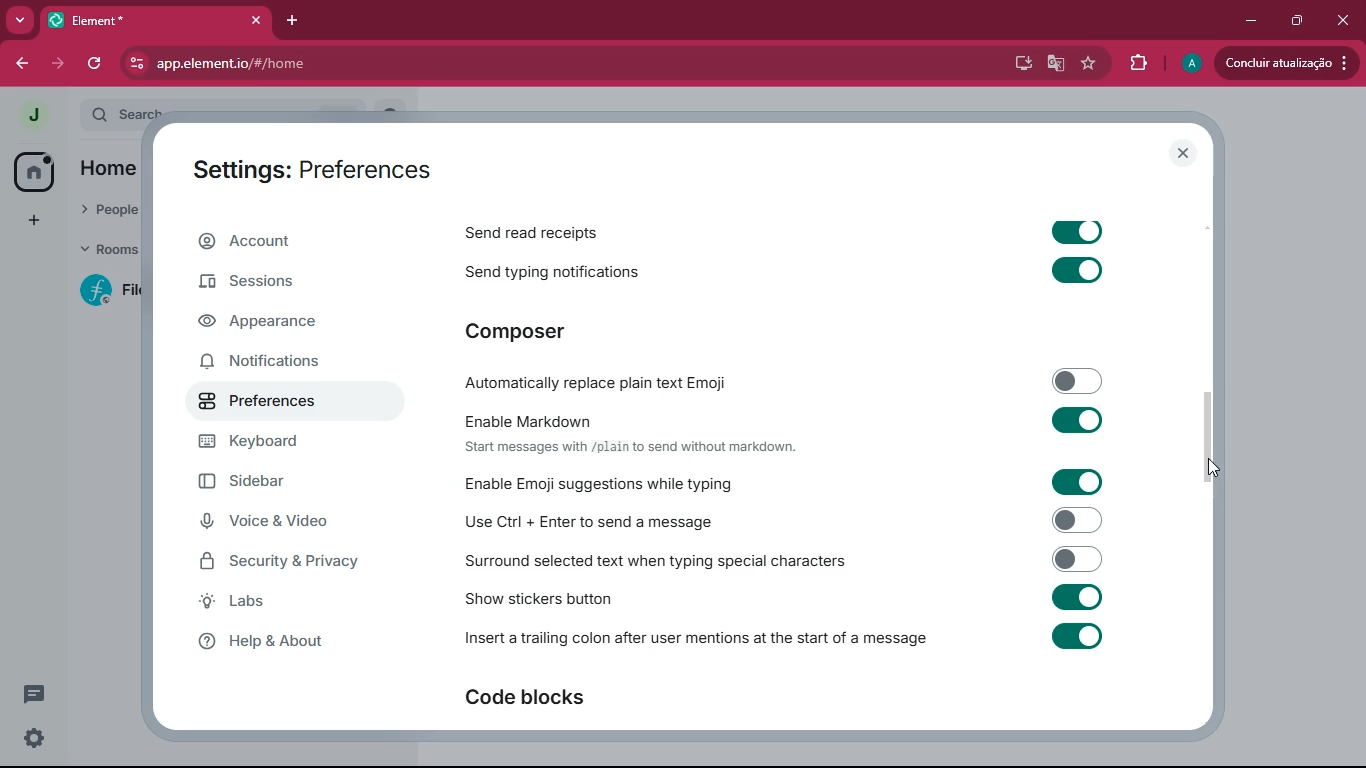 The image size is (1366, 768). Describe the element at coordinates (1246, 21) in the screenshot. I see `minimize` at that location.